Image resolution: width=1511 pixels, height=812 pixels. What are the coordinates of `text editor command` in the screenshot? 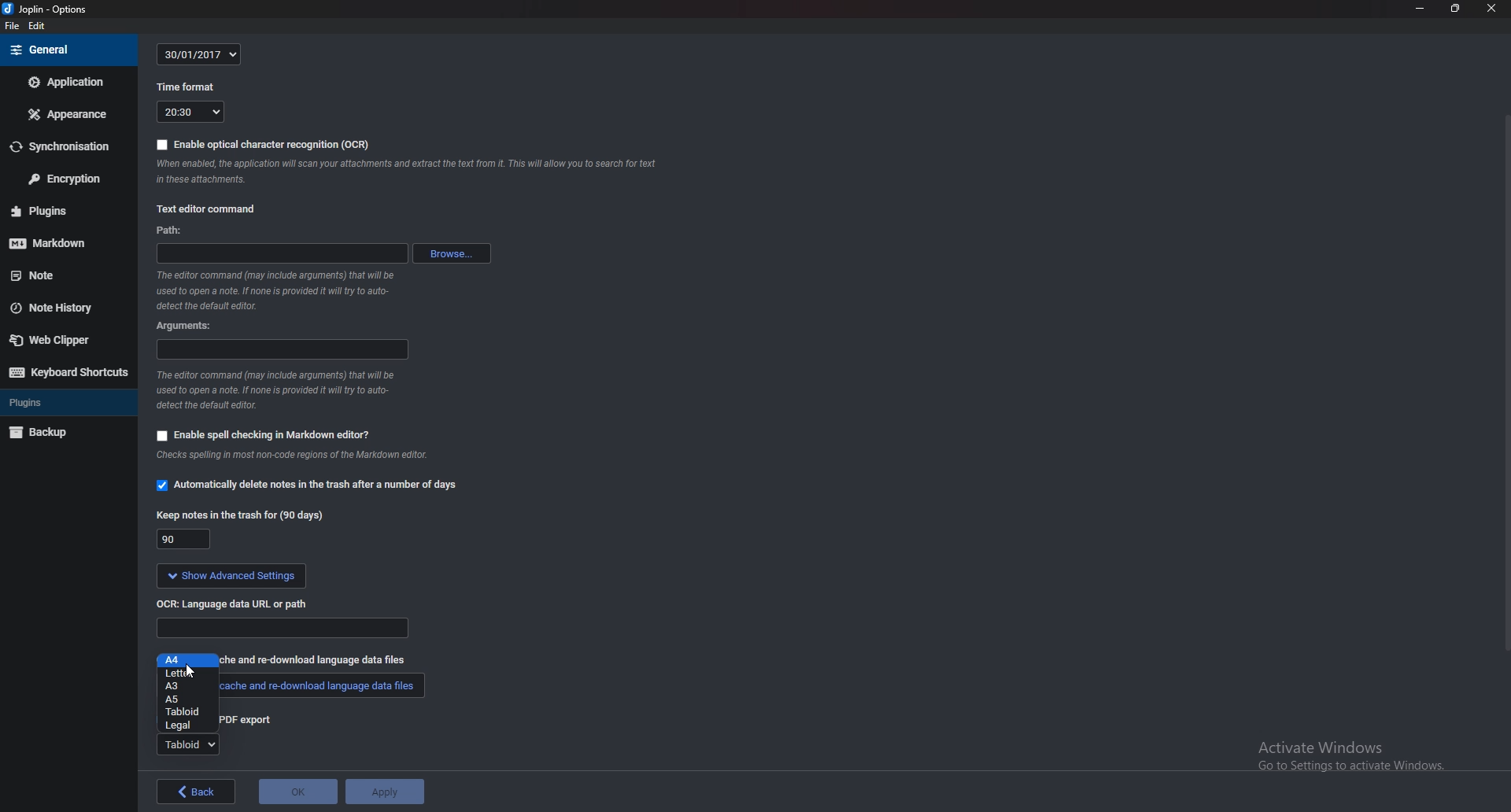 It's located at (205, 206).